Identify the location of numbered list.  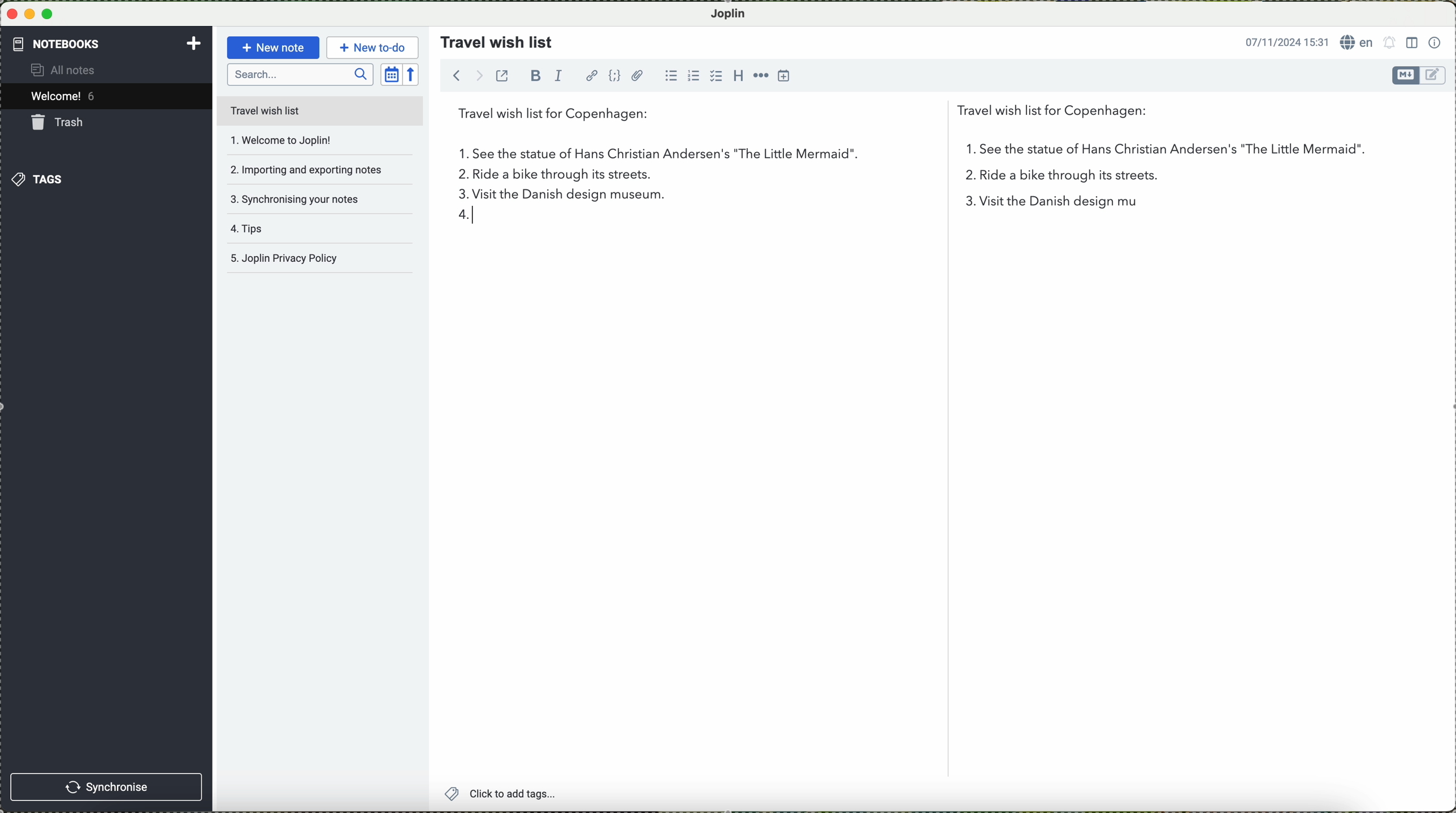
(693, 71).